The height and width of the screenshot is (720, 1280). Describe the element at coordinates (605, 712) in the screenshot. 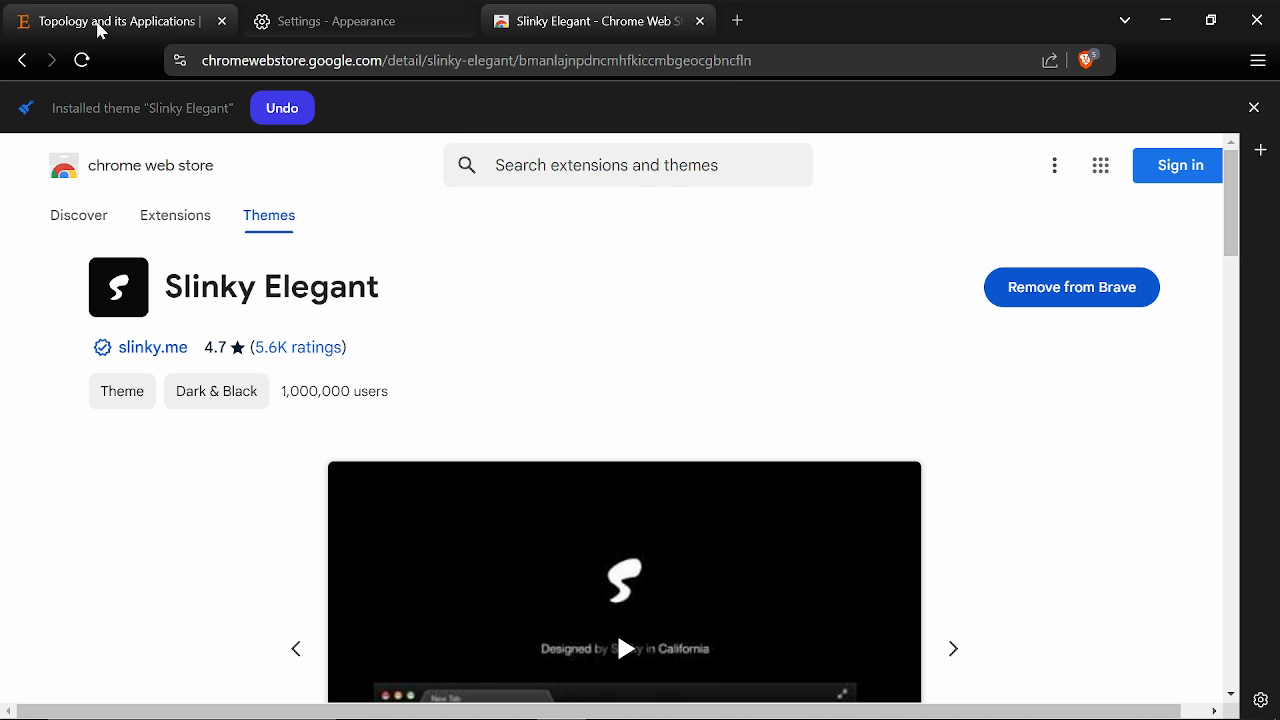

I see `scroll bar` at that location.